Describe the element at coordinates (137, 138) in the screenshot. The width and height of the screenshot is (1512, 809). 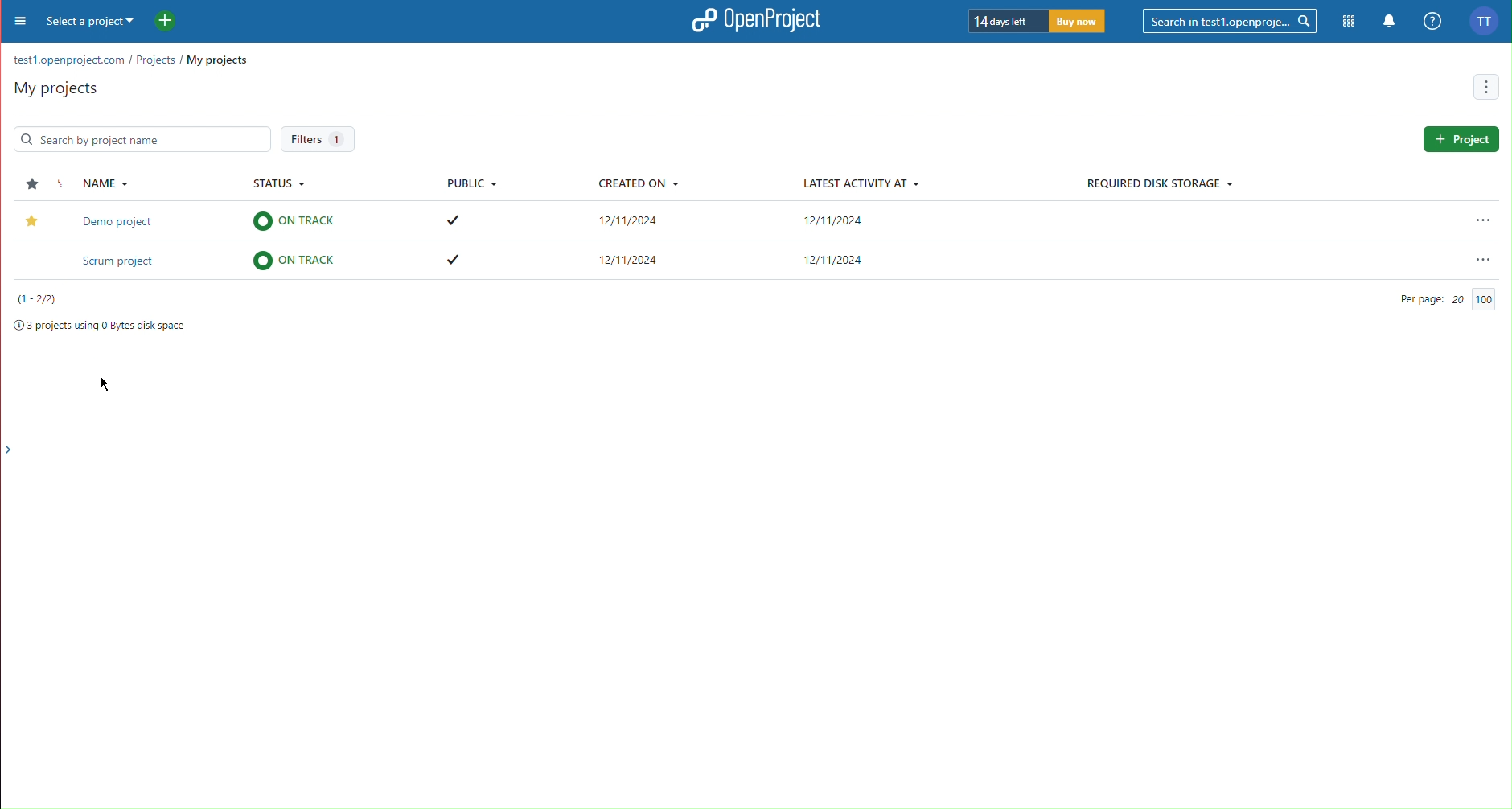
I see `Search bar` at that location.